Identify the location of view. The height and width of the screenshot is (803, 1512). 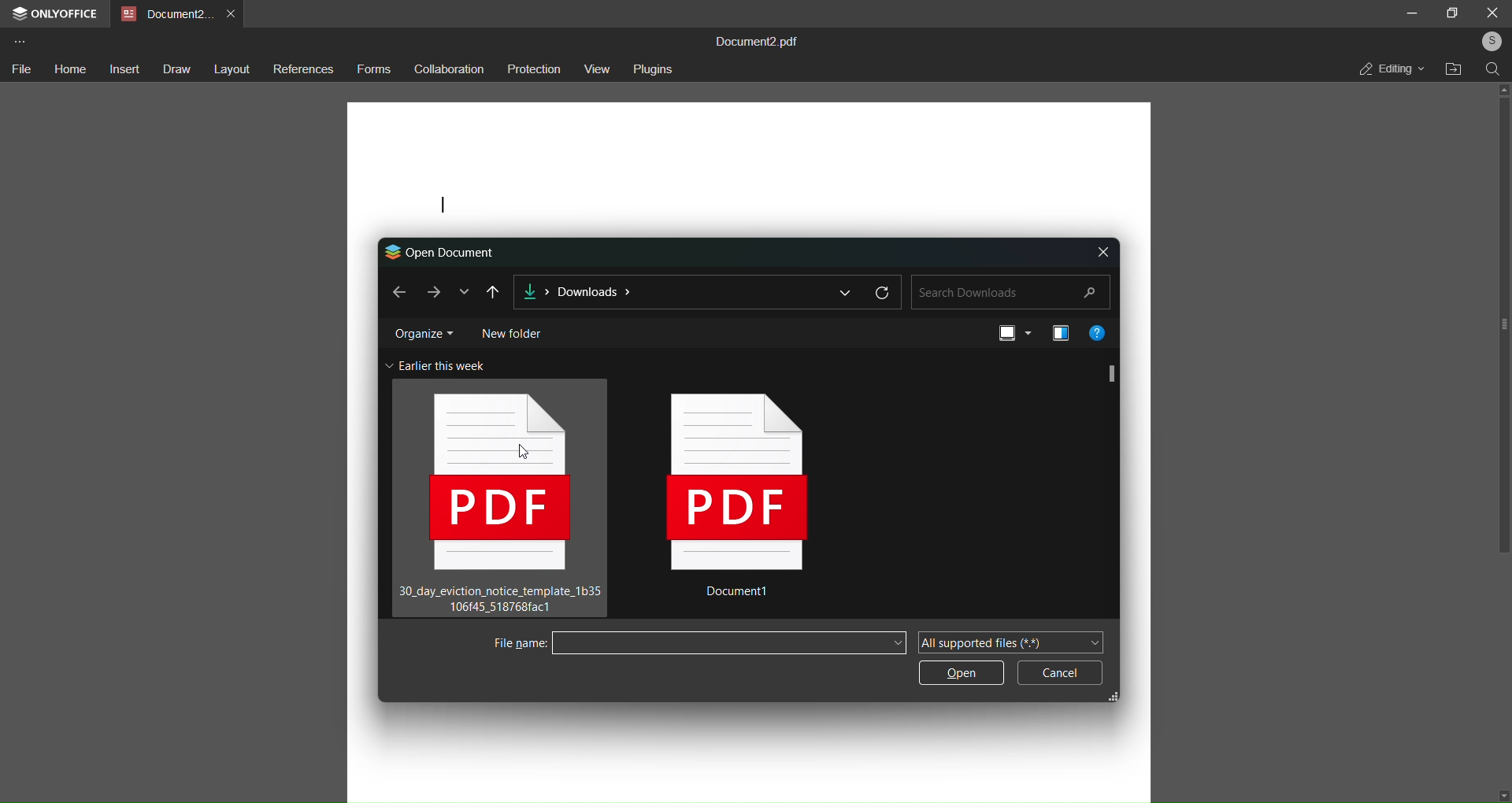
(1012, 335).